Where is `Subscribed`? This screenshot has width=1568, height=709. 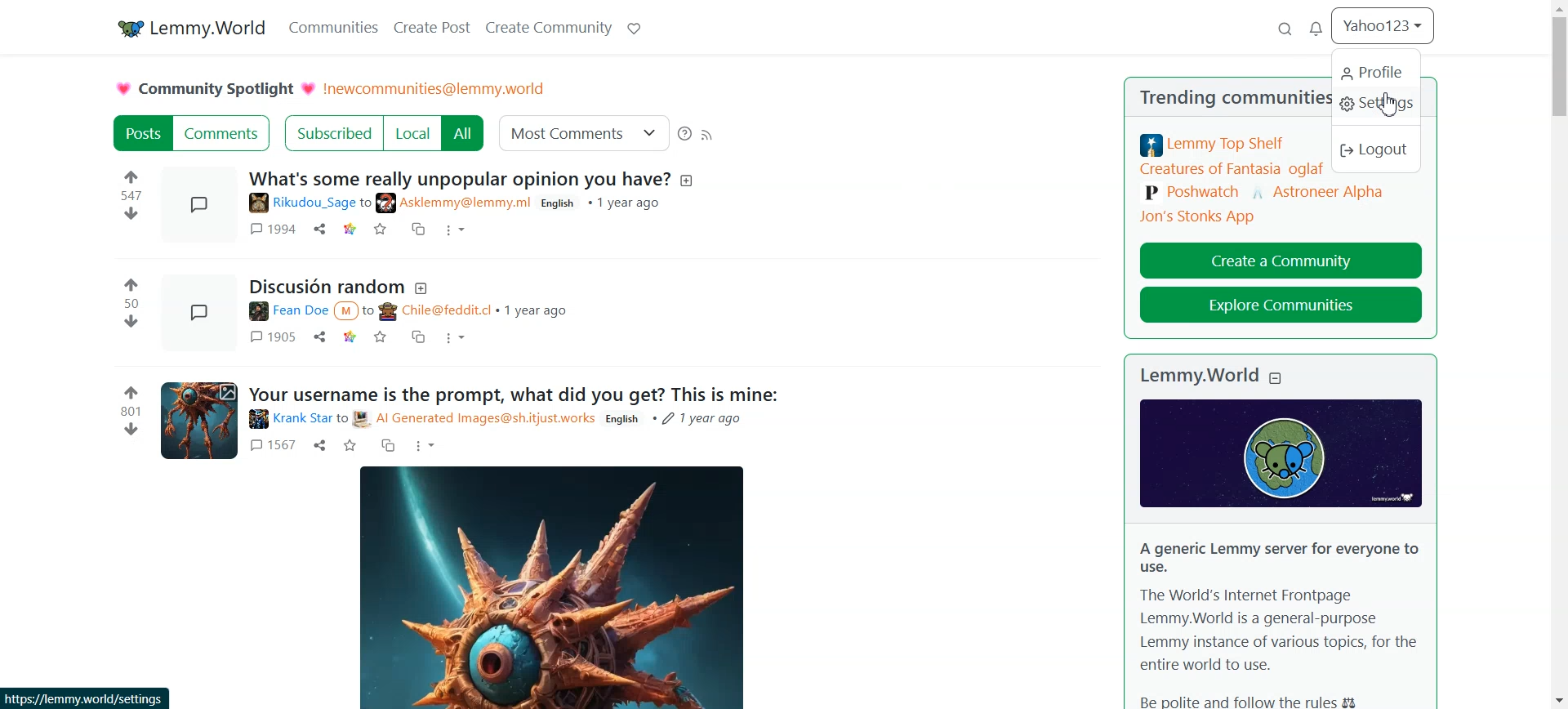
Subscribed is located at coordinates (332, 133).